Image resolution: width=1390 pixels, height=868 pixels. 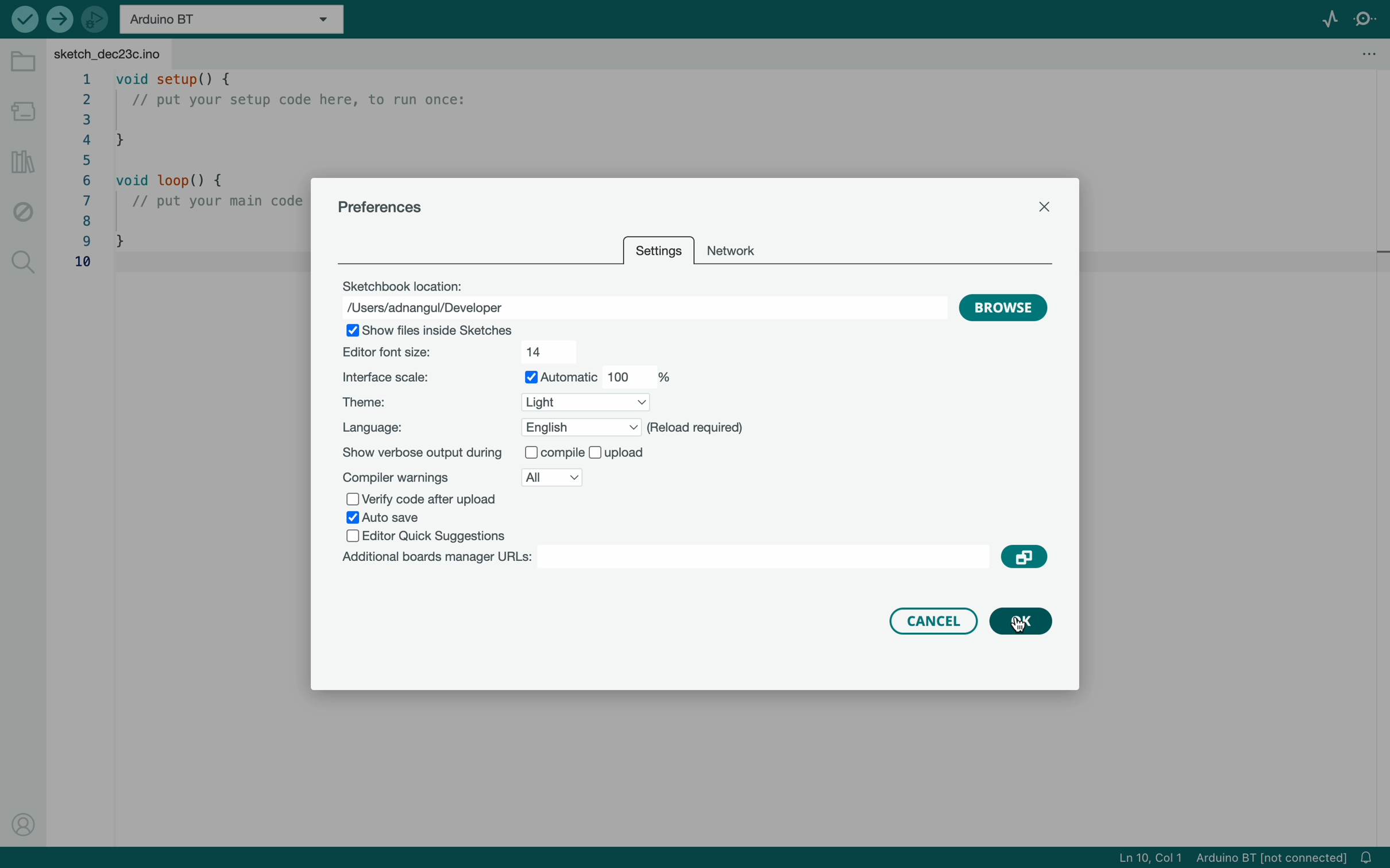 What do you see at coordinates (665, 557) in the screenshot?
I see `board manager` at bounding box center [665, 557].